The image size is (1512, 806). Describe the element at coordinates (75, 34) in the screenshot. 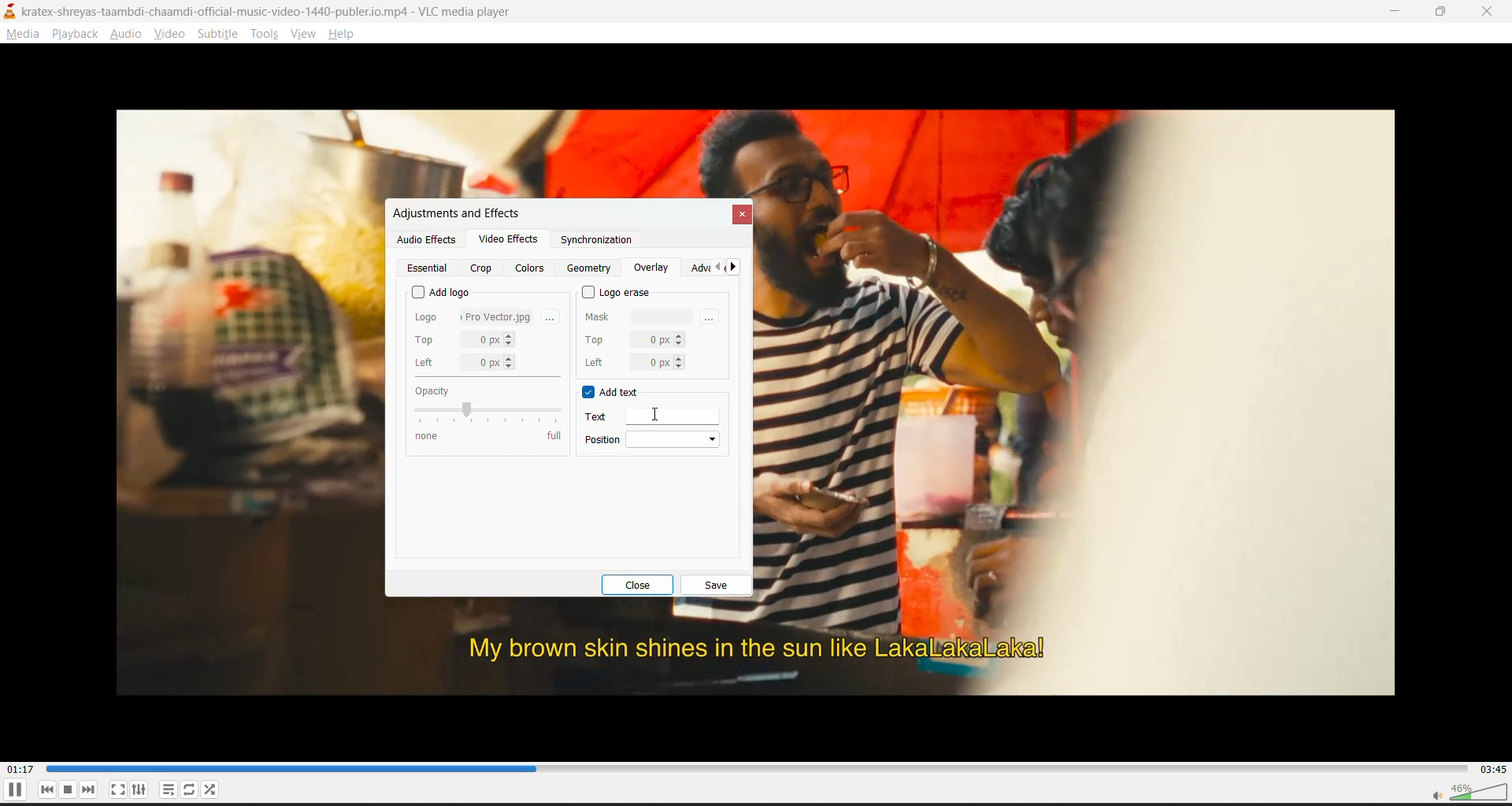

I see `playback` at that location.